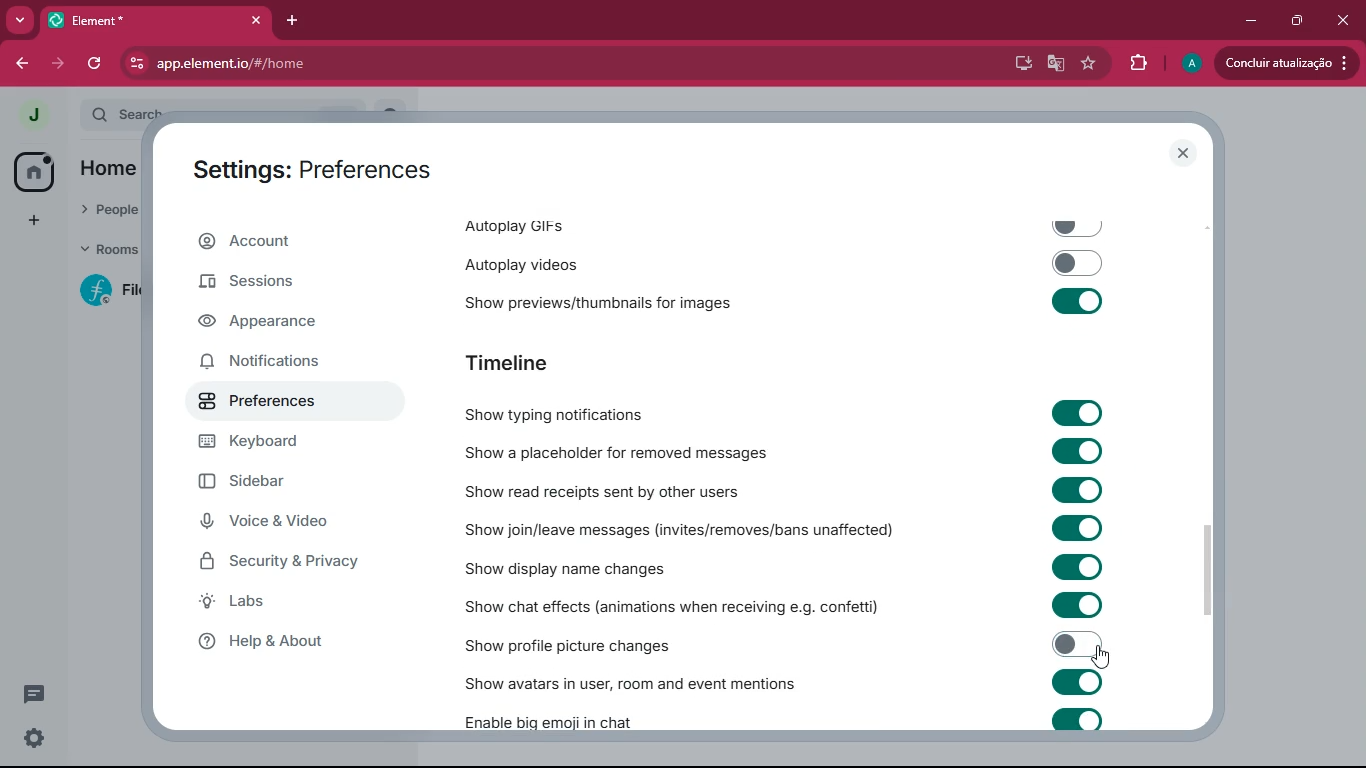 This screenshot has width=1366, height=768. Describe the element at coordinates (279, 403) in the screenshot. I see `preferences` at that location.